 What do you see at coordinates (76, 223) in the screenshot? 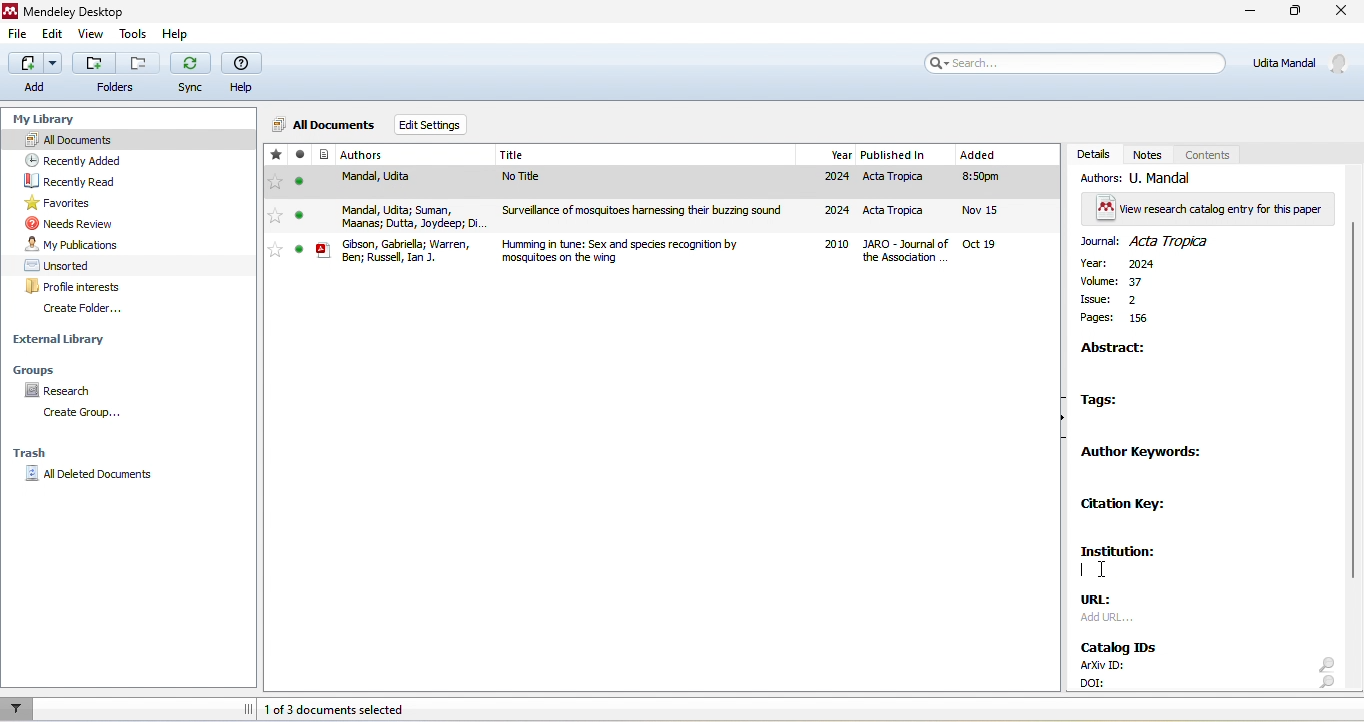
I see `needs review` at bounding box center [76, 223].